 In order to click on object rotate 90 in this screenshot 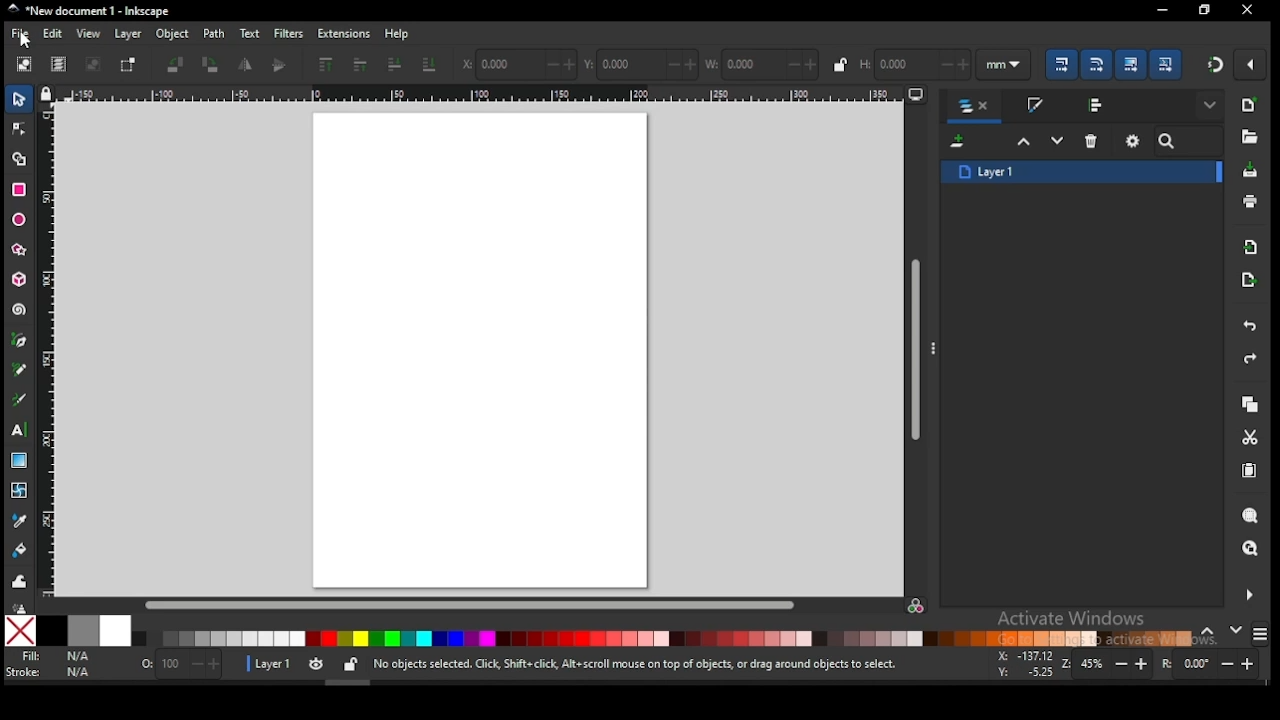, I will do `click(212, 65)`.